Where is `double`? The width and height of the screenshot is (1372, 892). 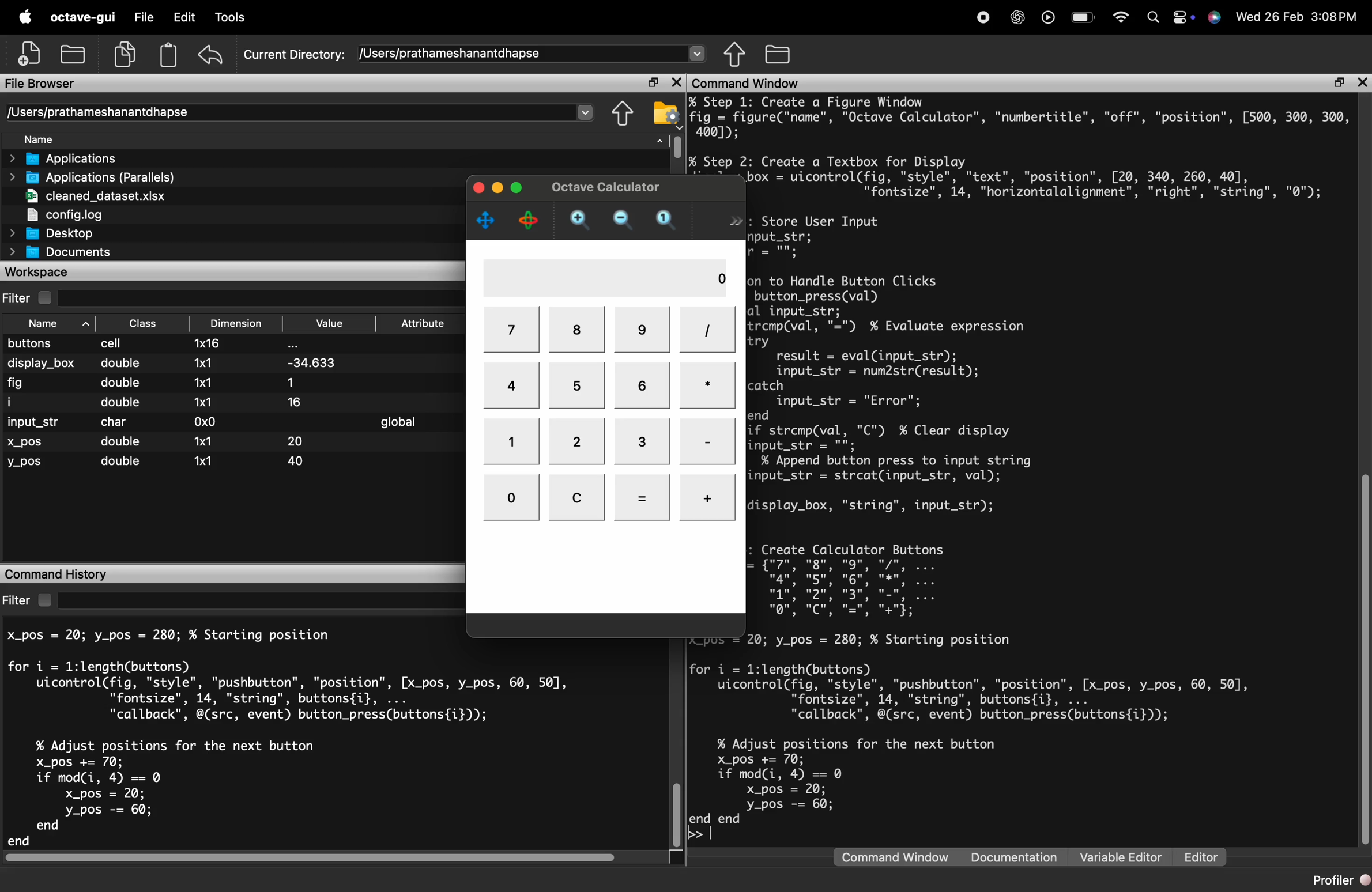
double is located at coordinates (122, 441).